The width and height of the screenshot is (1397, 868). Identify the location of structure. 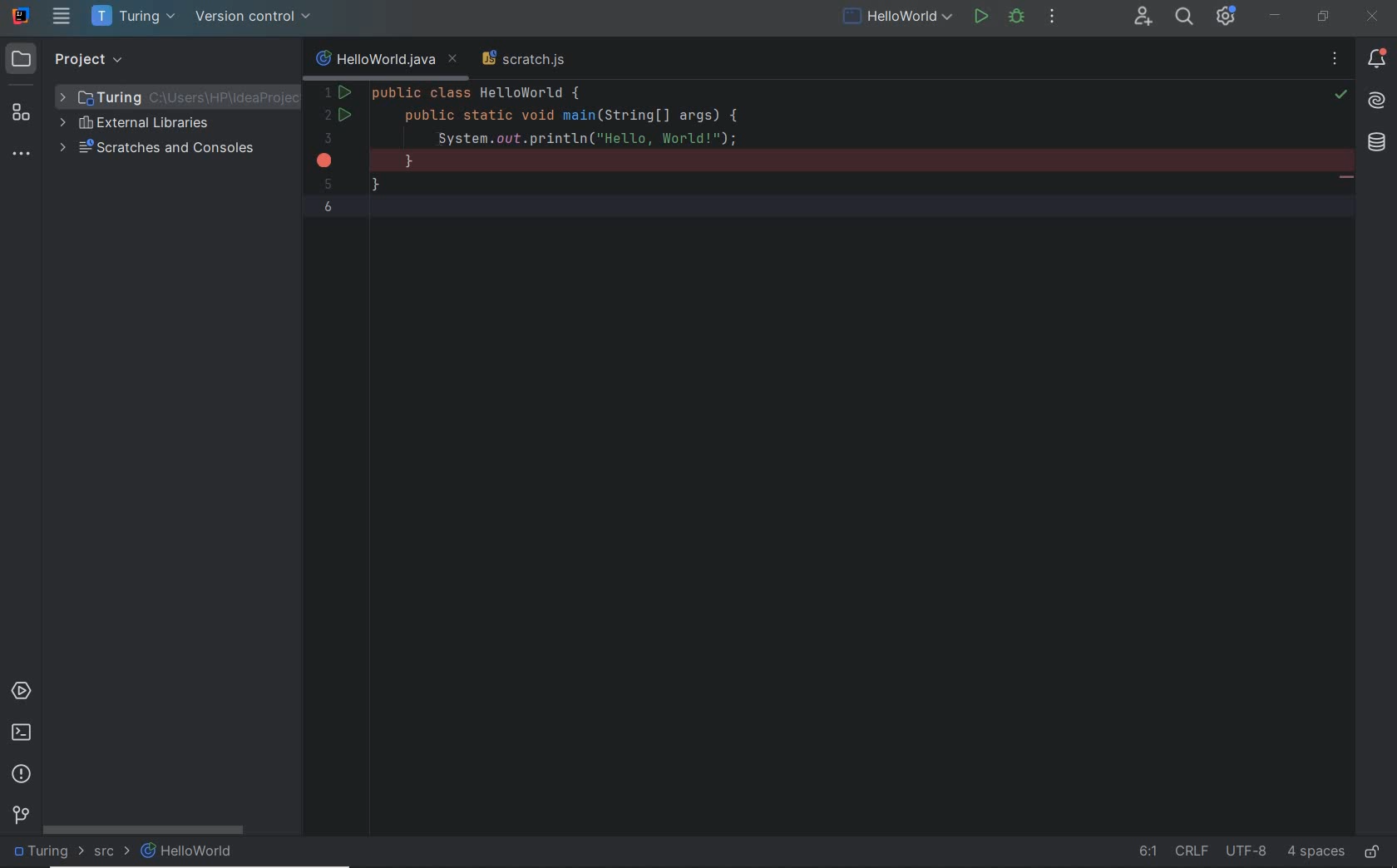
(21, 116).